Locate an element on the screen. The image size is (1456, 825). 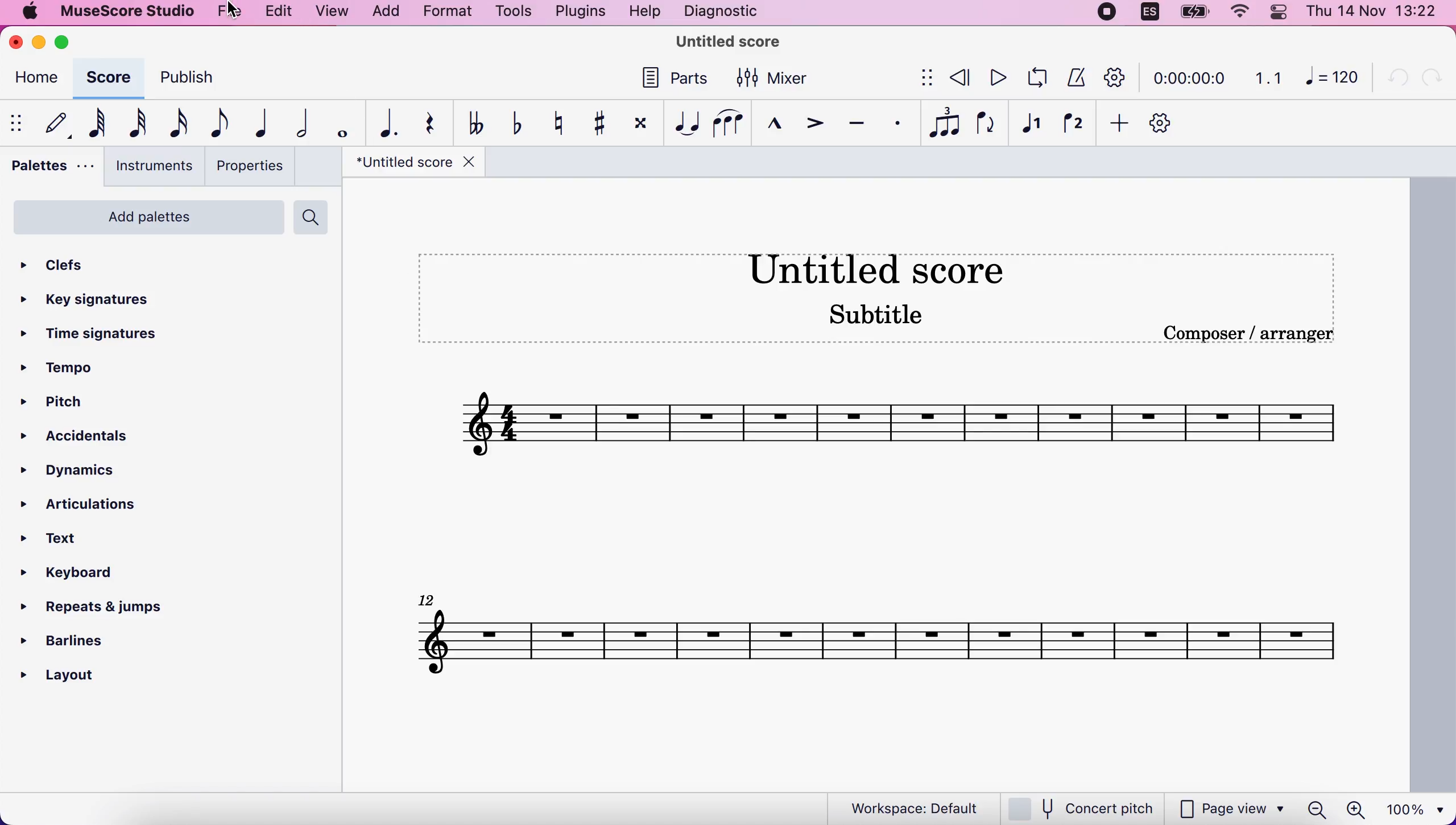
text is located at coordinates (69, 542).